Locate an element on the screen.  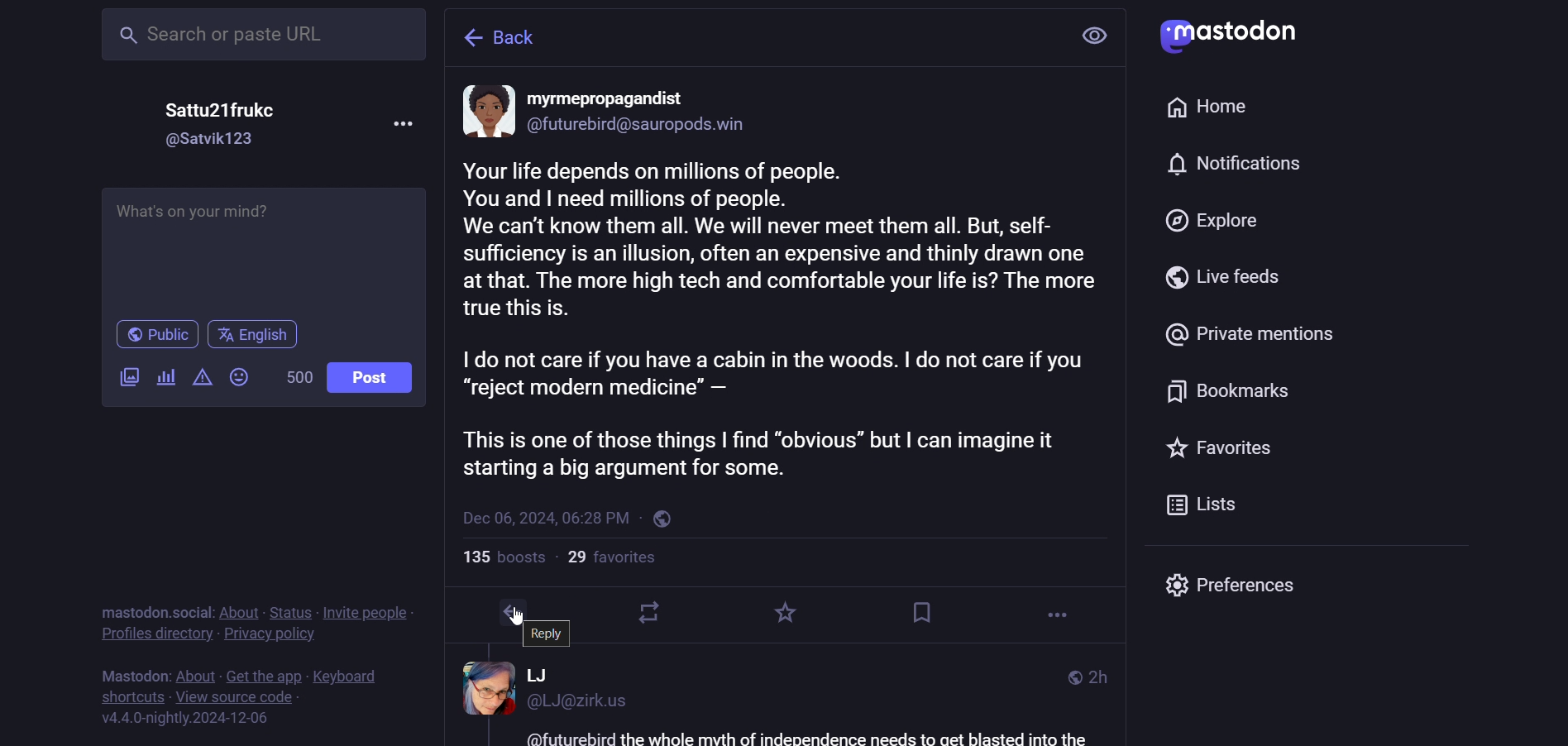
live feed is located at coordinates (1224, 276).